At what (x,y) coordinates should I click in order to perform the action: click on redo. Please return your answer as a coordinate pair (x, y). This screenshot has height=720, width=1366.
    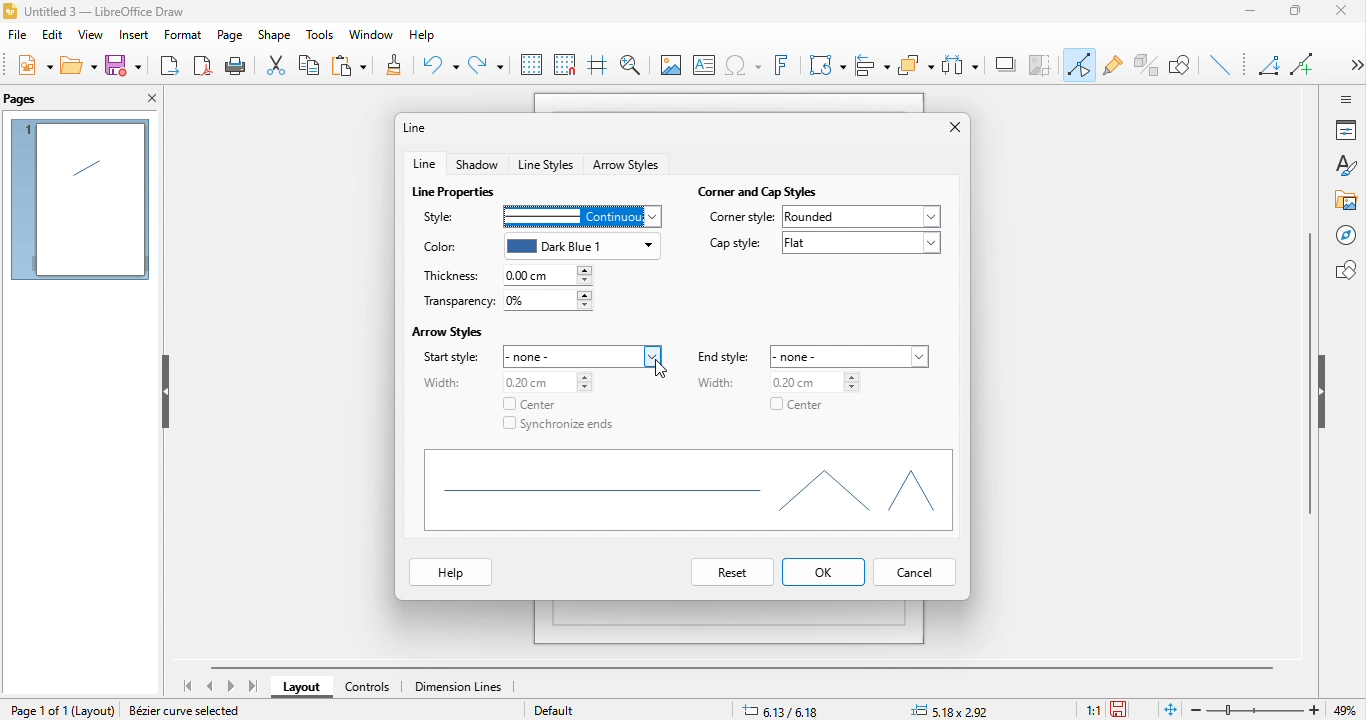
    Looking at the image, I should click on (486, 61).